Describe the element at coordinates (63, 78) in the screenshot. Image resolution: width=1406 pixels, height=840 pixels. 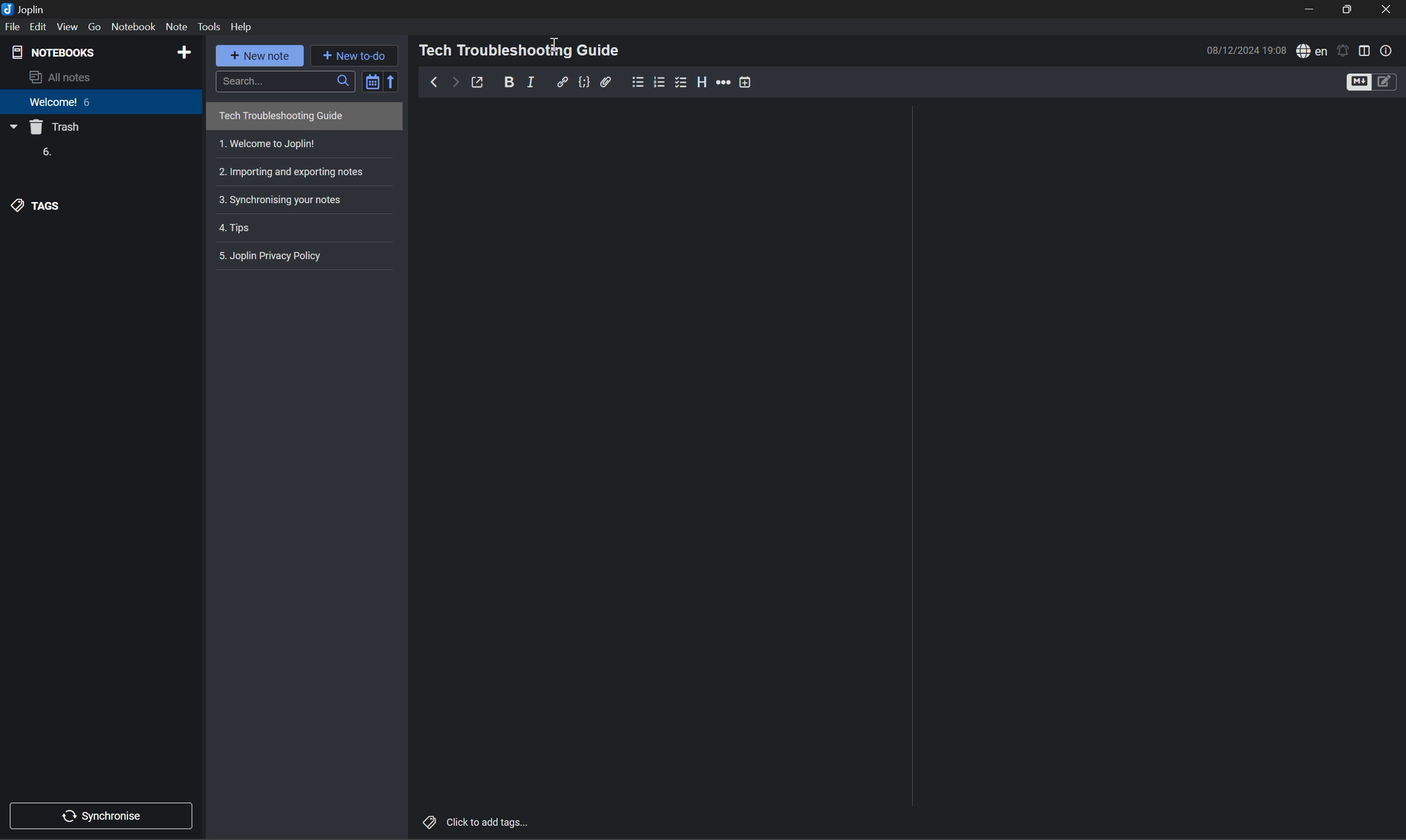
I see `All notes` at that location.